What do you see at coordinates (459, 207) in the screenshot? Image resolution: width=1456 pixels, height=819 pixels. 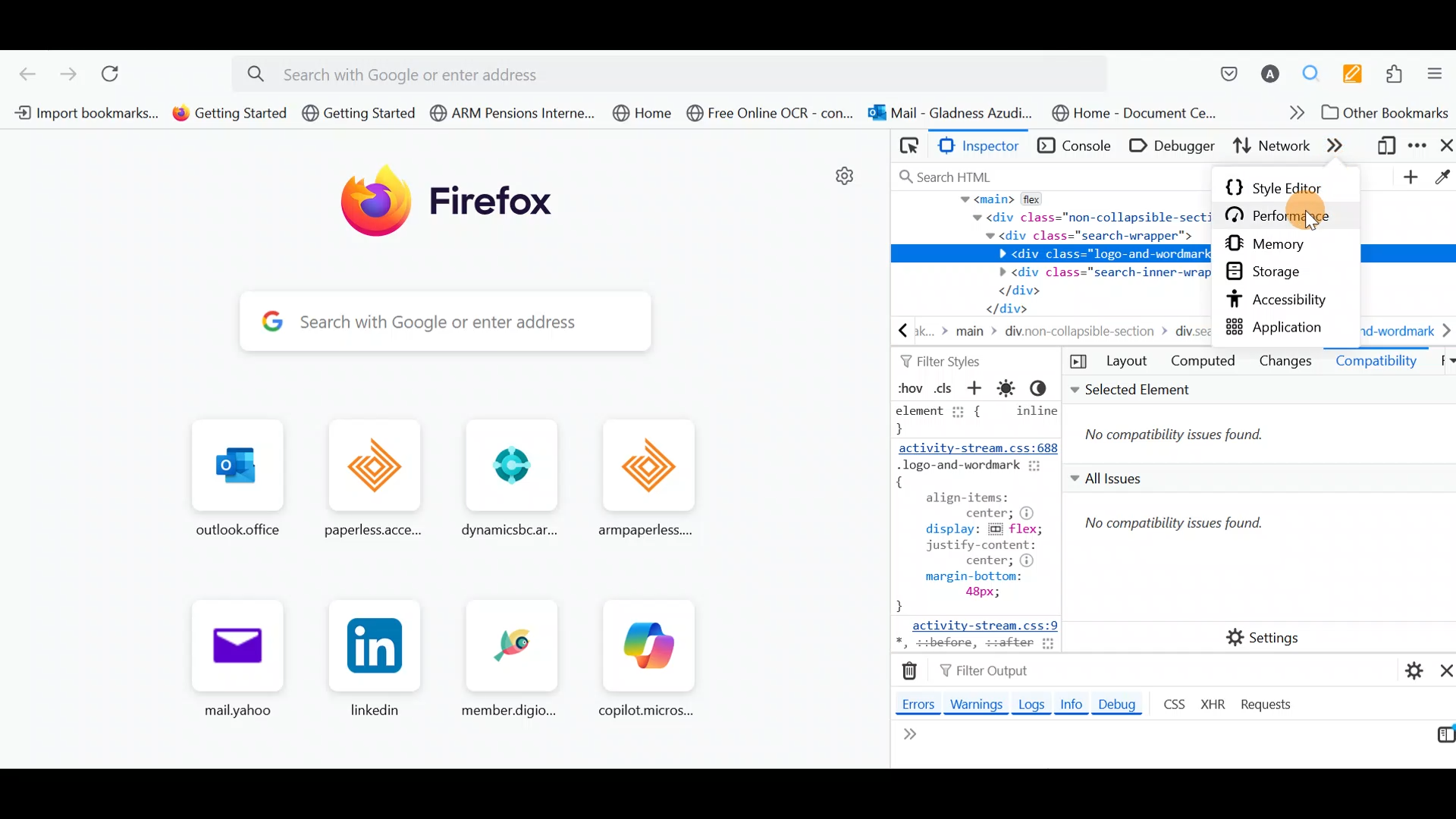 I see `Firefox logo` at bounding box center [459, 207].